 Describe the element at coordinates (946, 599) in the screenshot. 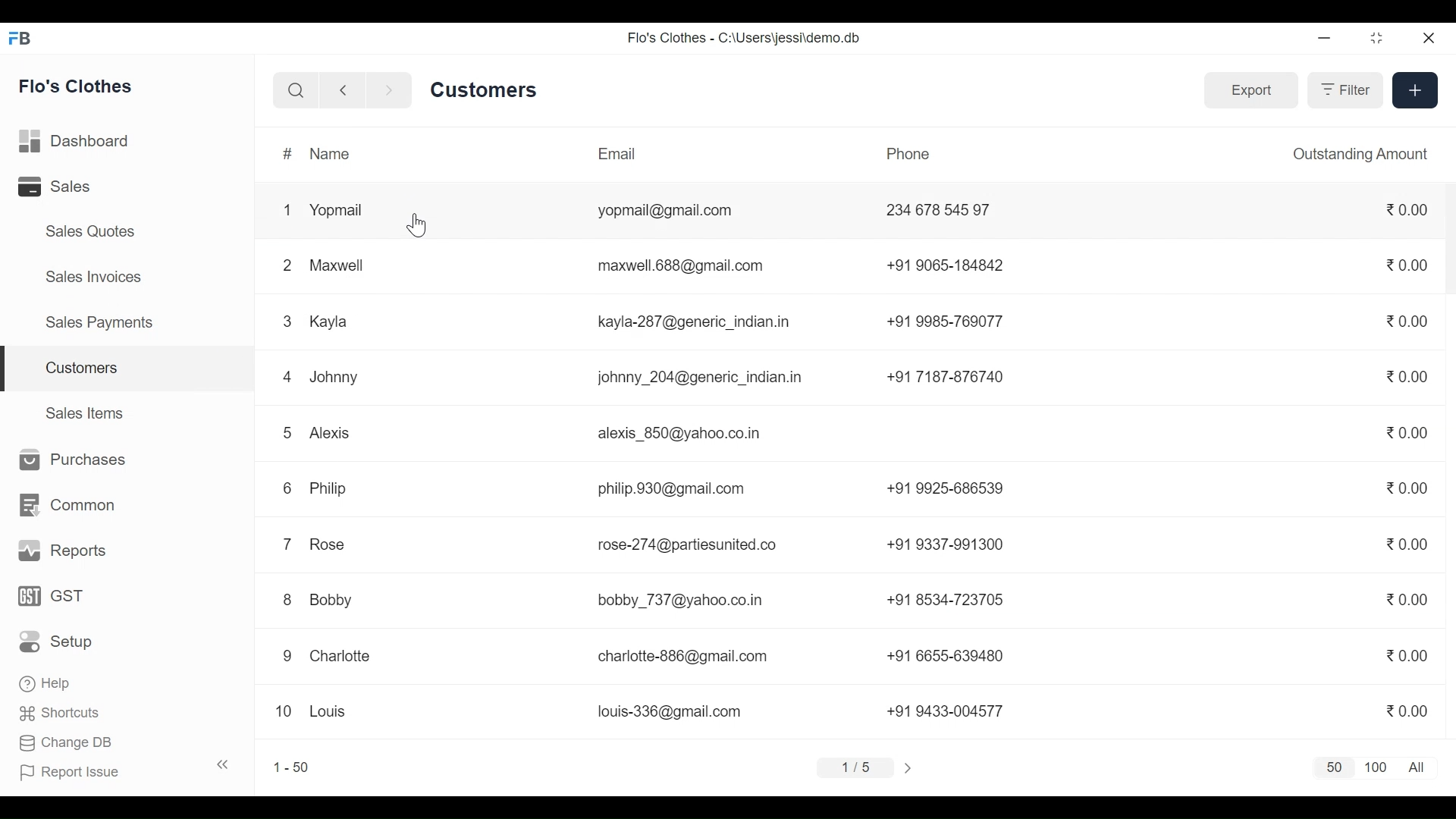

I see `+91 8534-723705` at that location.